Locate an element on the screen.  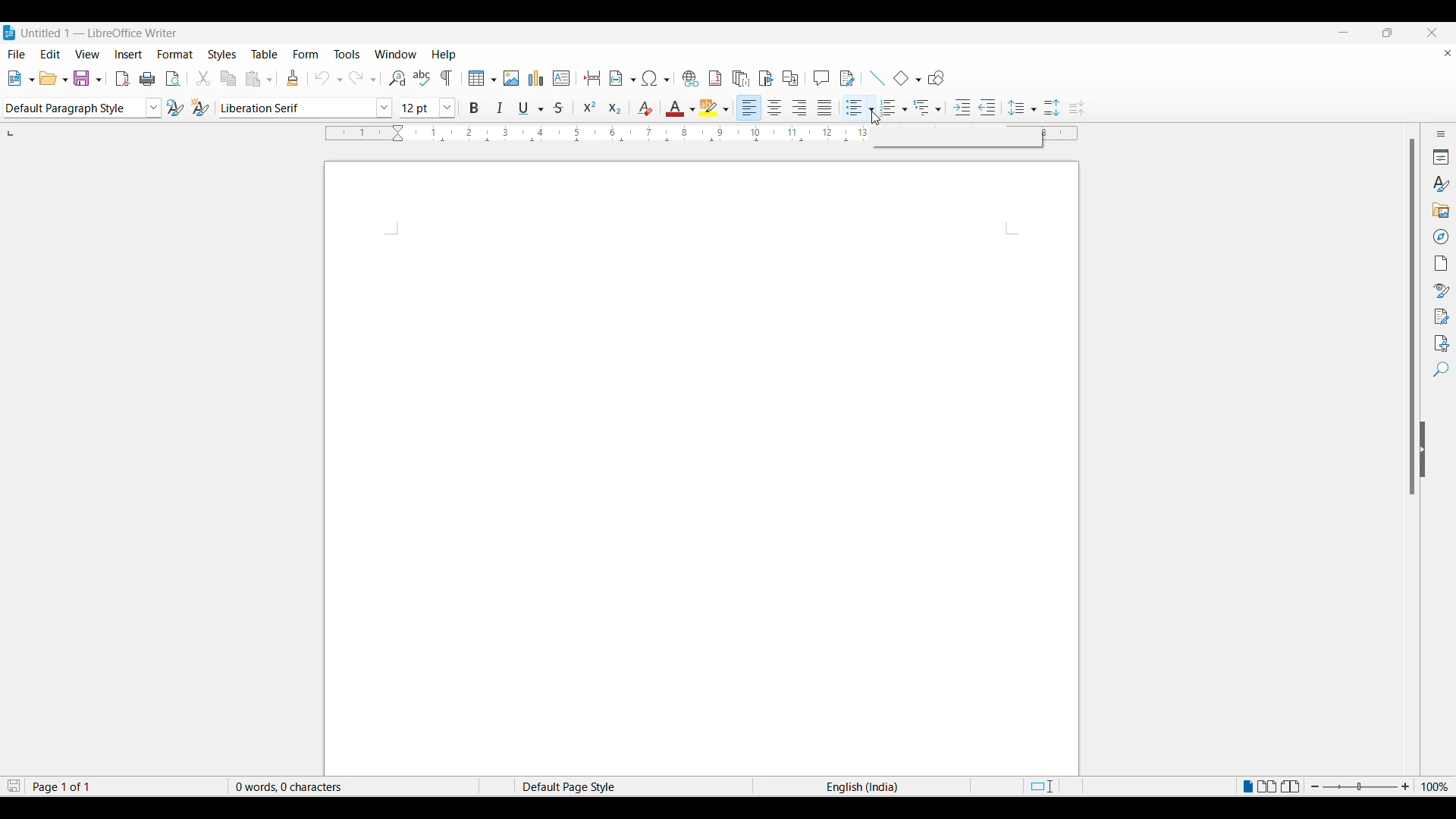
align center is located at coordinates (777, 108).